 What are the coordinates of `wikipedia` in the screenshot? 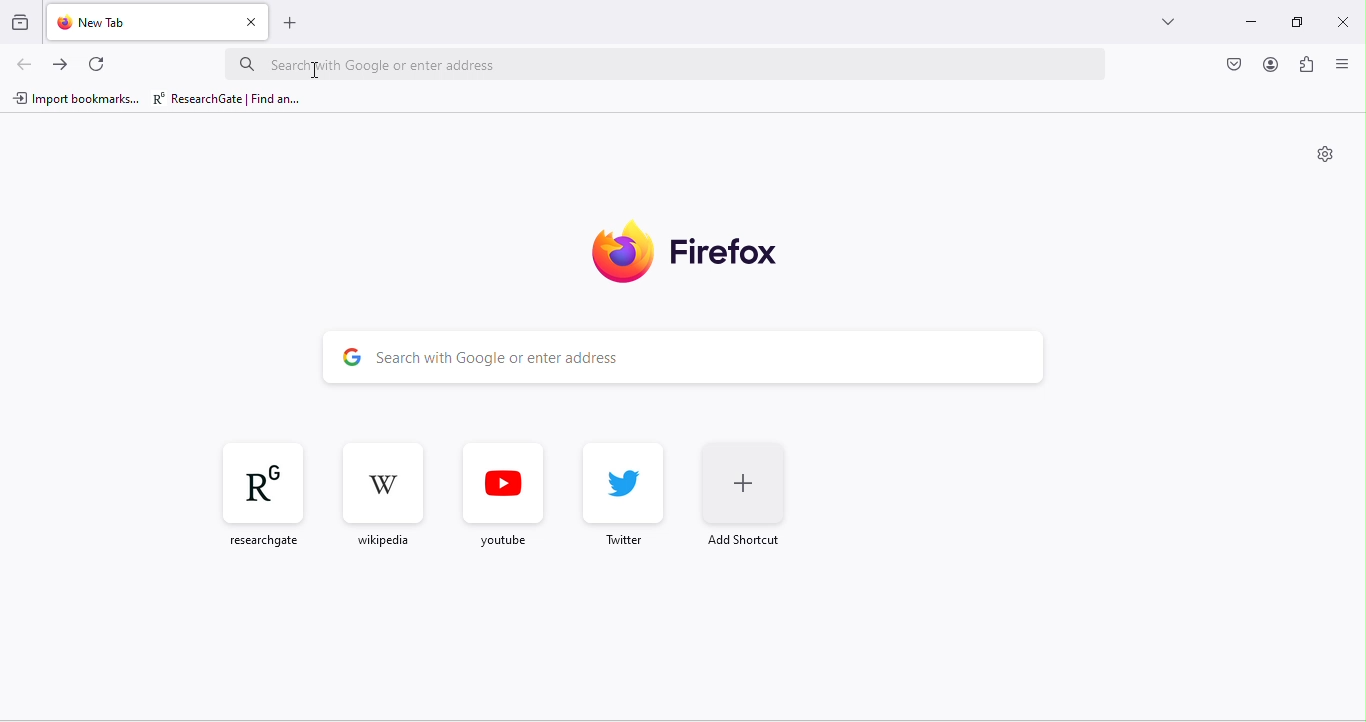 It's located at (385, 491).